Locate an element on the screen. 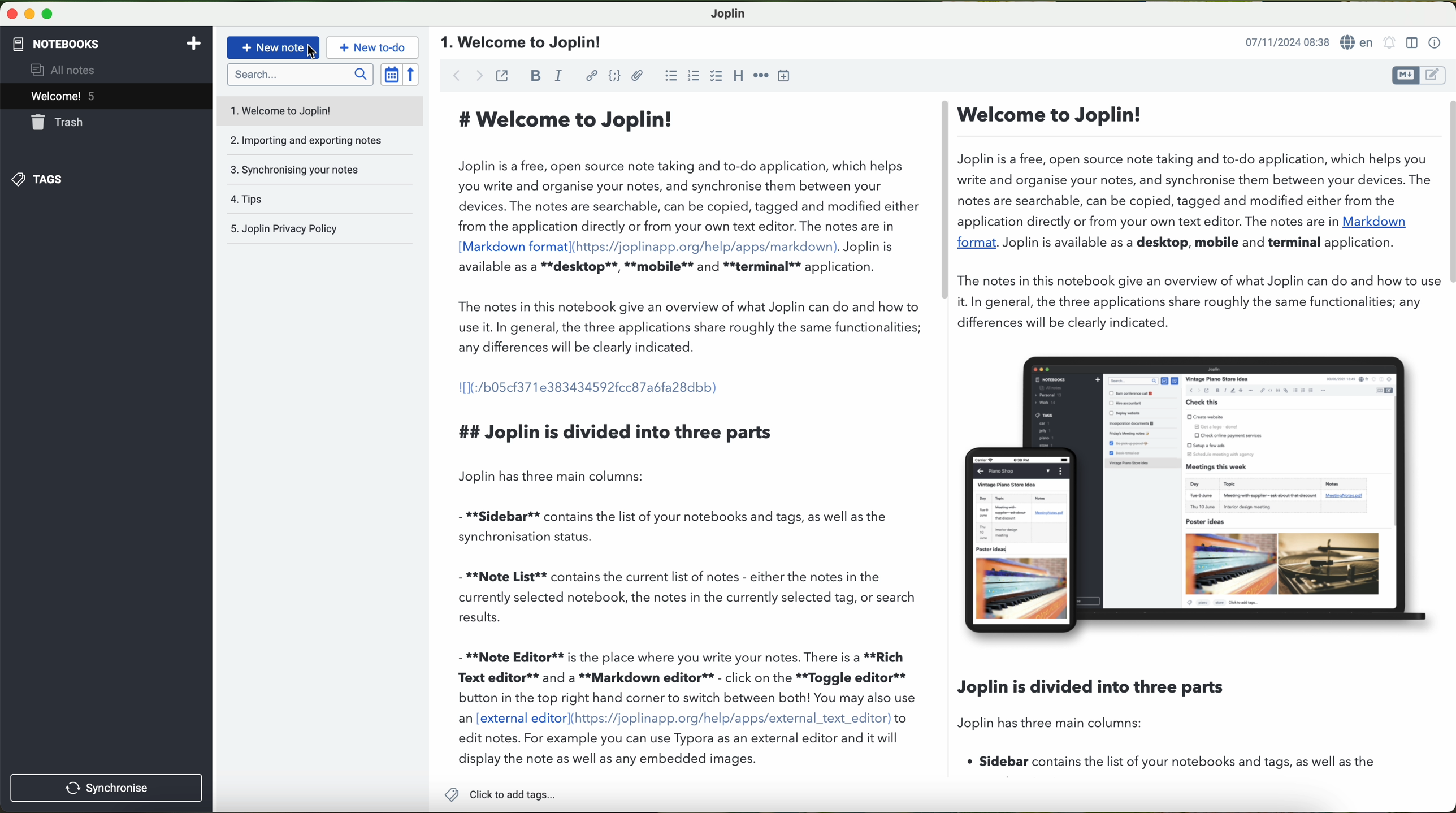 The width and height of the screenshot is (1456, 813). tags is located at coordinates (38, 180).